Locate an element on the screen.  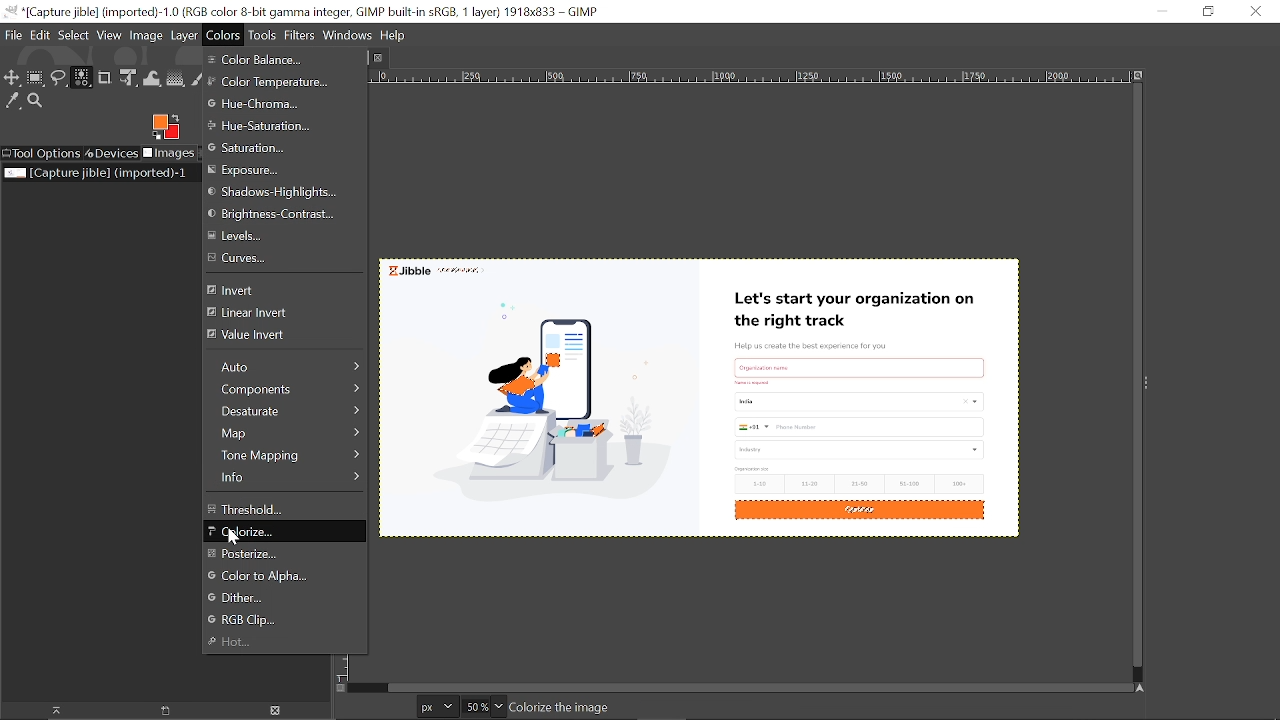
Horizontal scrollbar is located at coordinates (756, 686).